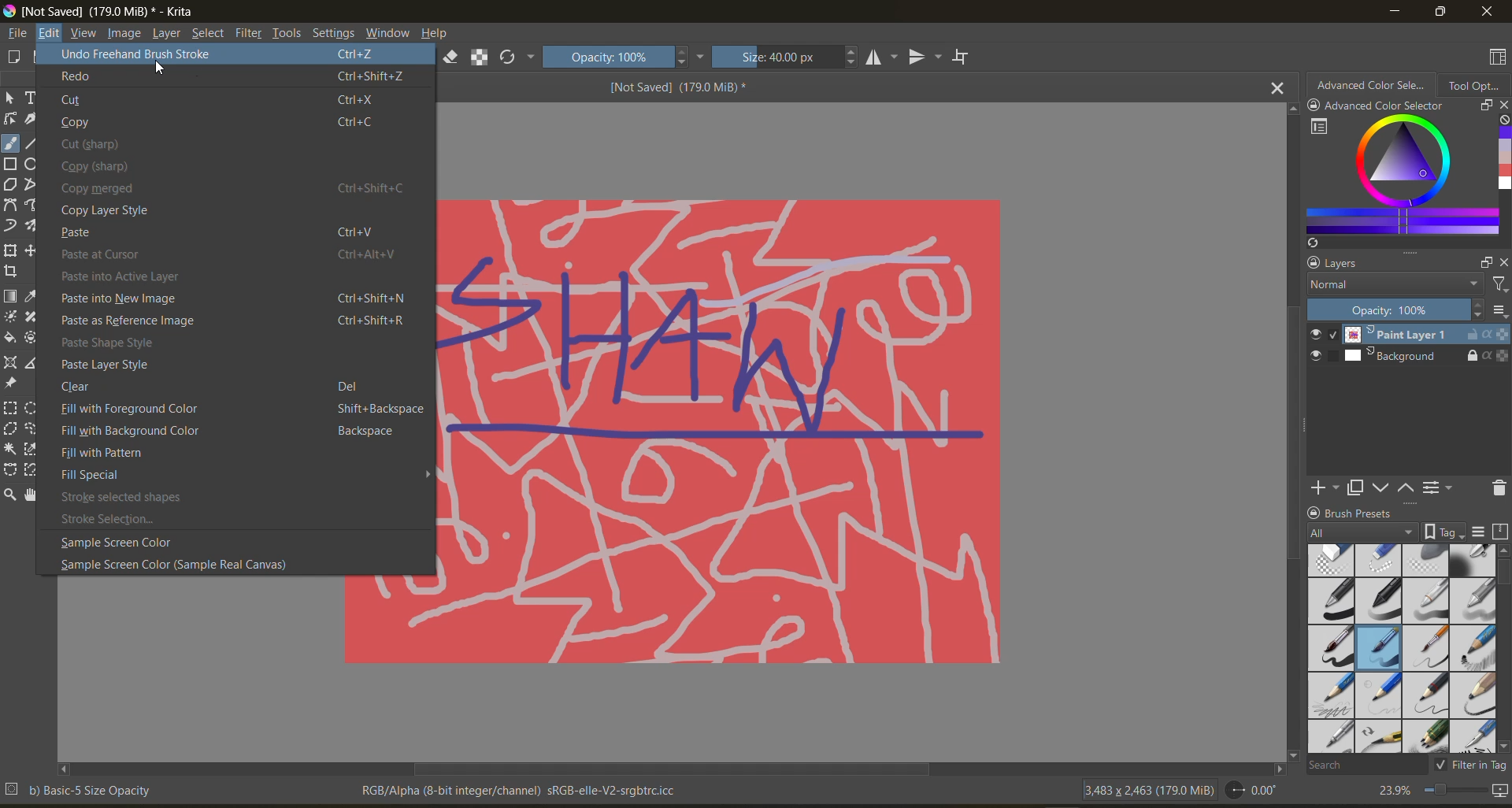 This screenshot has width=1512, height=808. What do you see at coordinates (83, 791) in the screenshot?
I see `b) Basic-5 Size Opacity` at bounding box center [83, 791].